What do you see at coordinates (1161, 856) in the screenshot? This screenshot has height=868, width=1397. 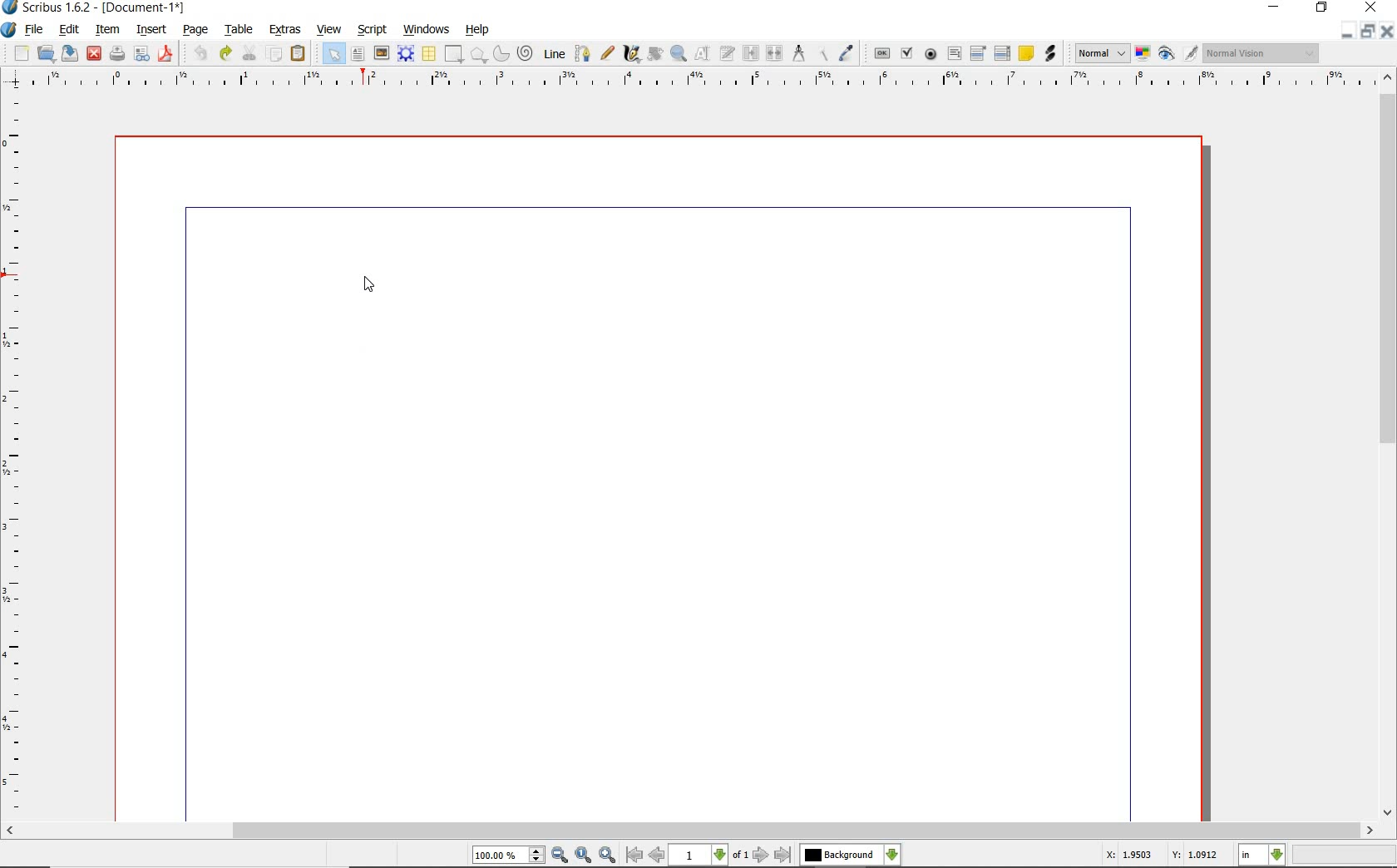 I see `X: 1.9503 Y: 1.0912` at bounding box center [1161, 856].